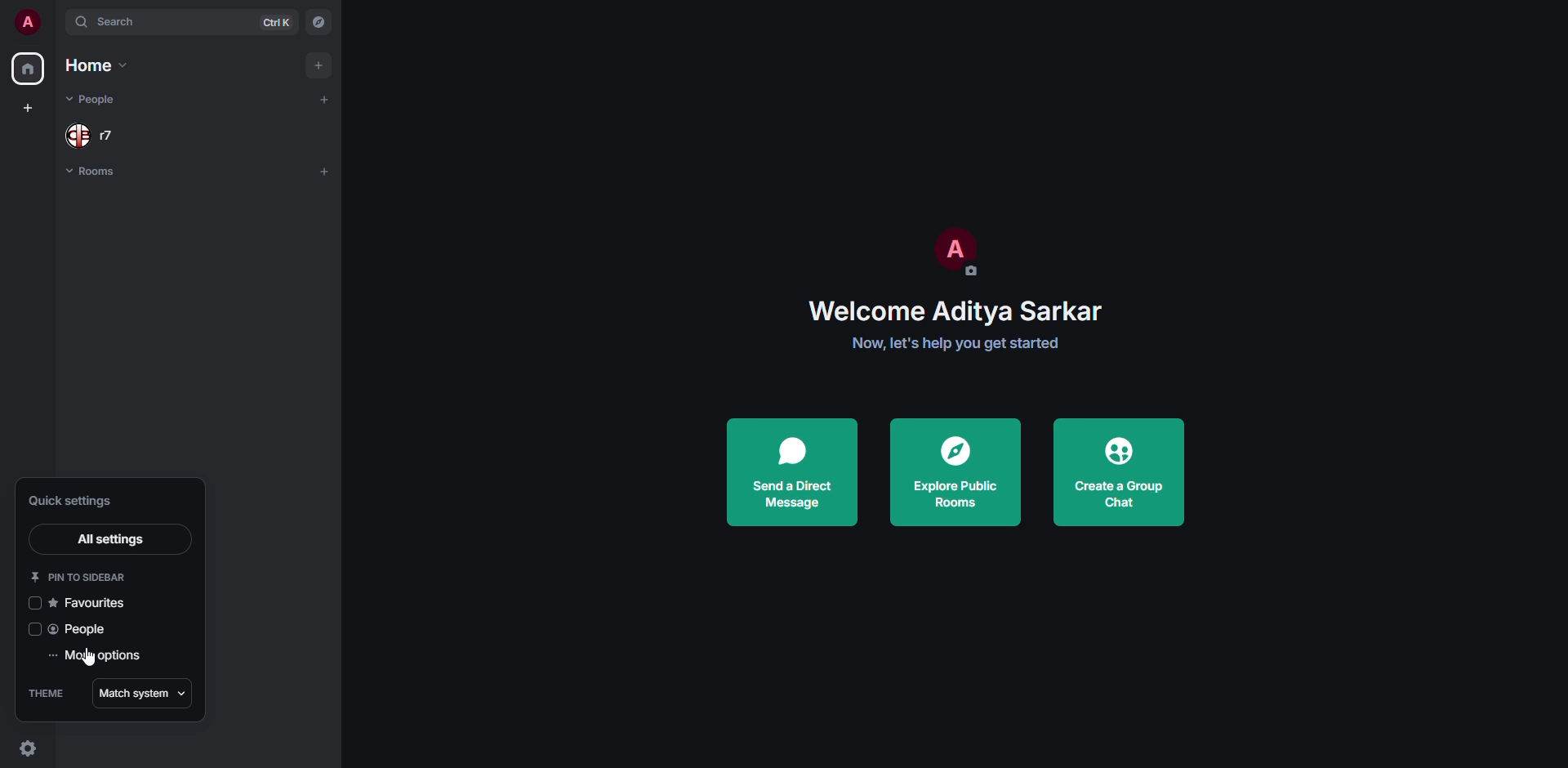 The height and width of the screenshot is (768, 1568). What do you see at coordinates (83, 578) in the screenshot?
I see `pin to sidebar` at bounding box center [83, 578].